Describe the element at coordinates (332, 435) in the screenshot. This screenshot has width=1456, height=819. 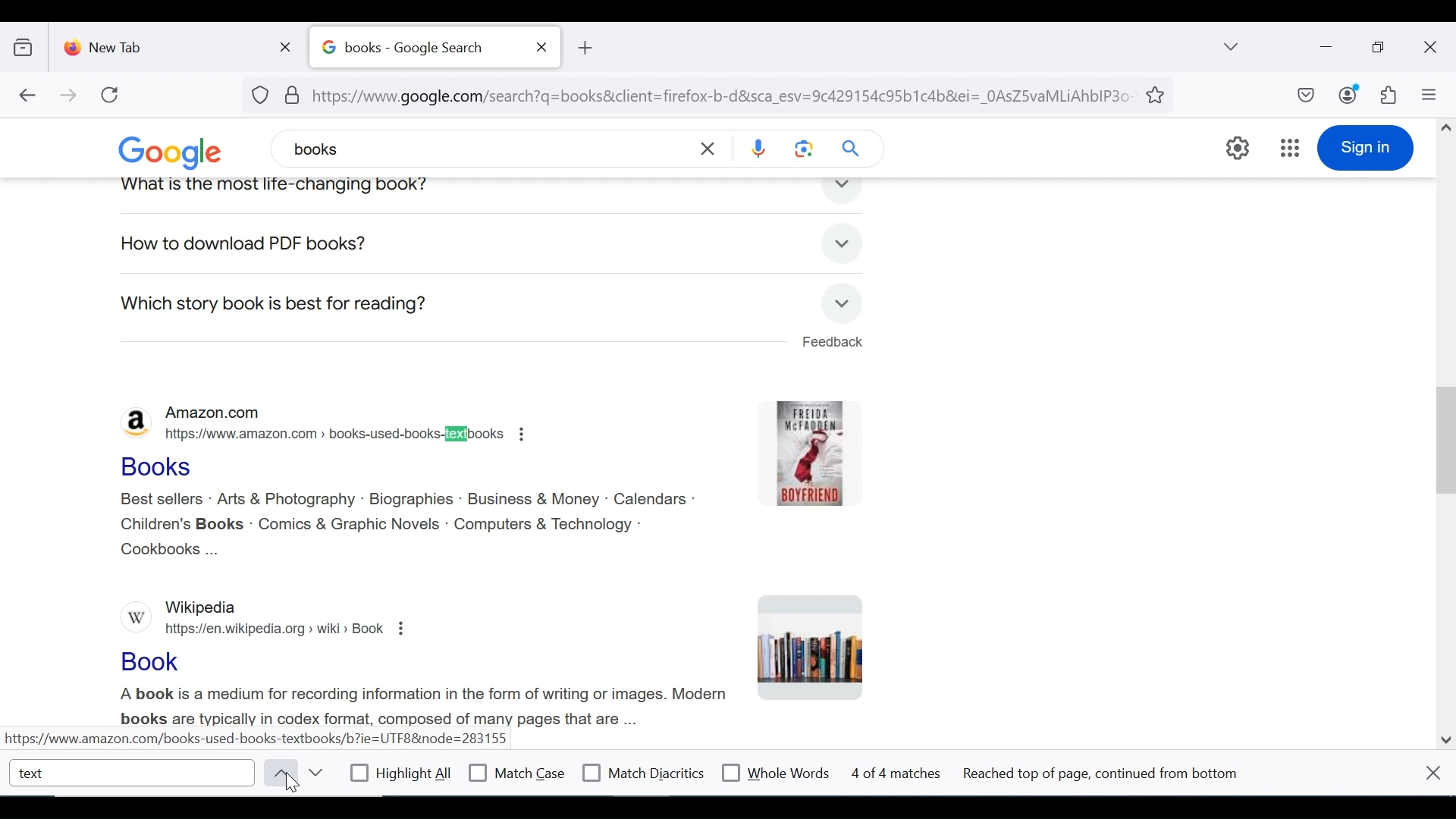
I see `Google Bookshttps://www.amazon.com>books-used-boos-textbooks` at that location.